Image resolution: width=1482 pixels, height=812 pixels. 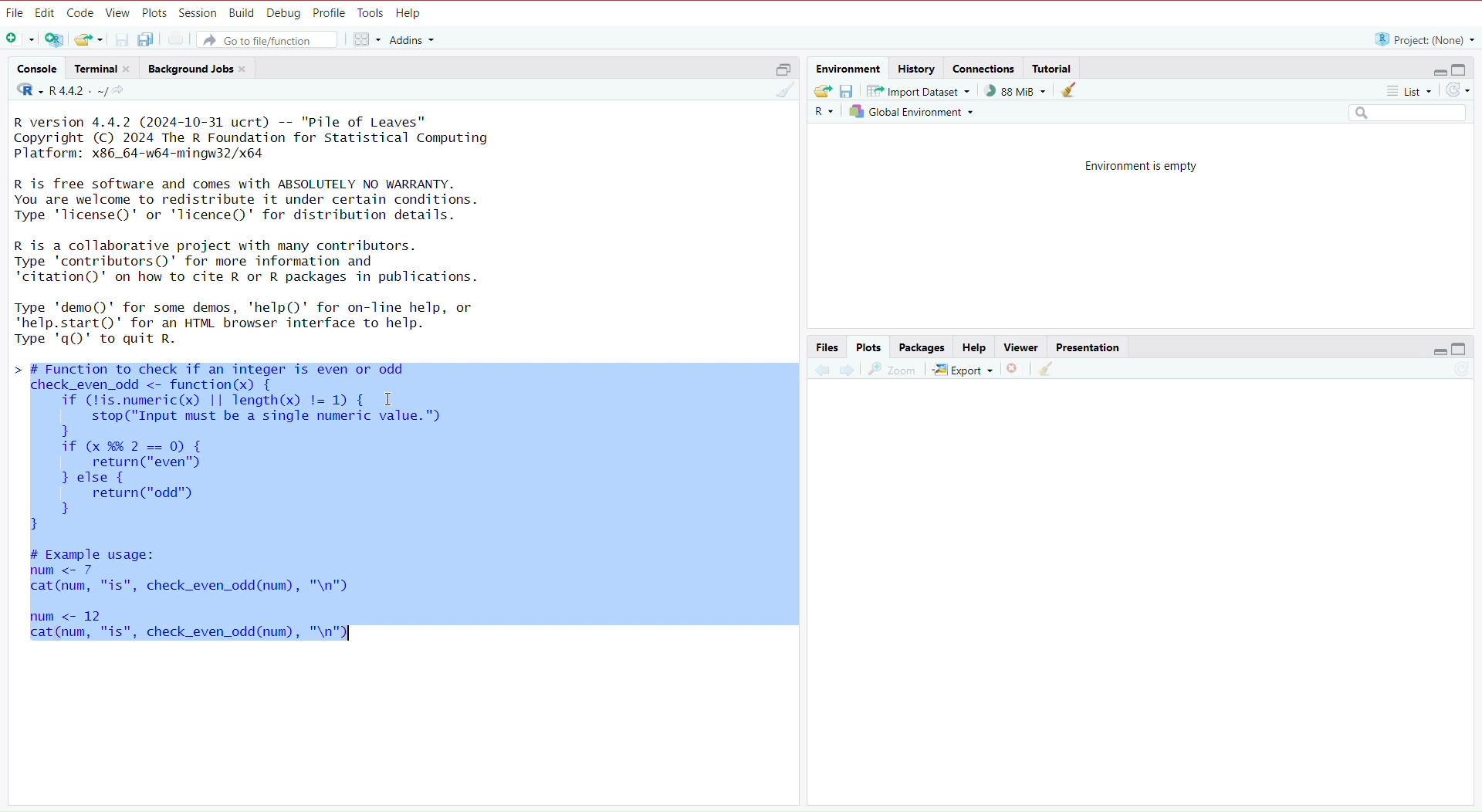 I want to click on collapse, so click(x=1461, y=349).